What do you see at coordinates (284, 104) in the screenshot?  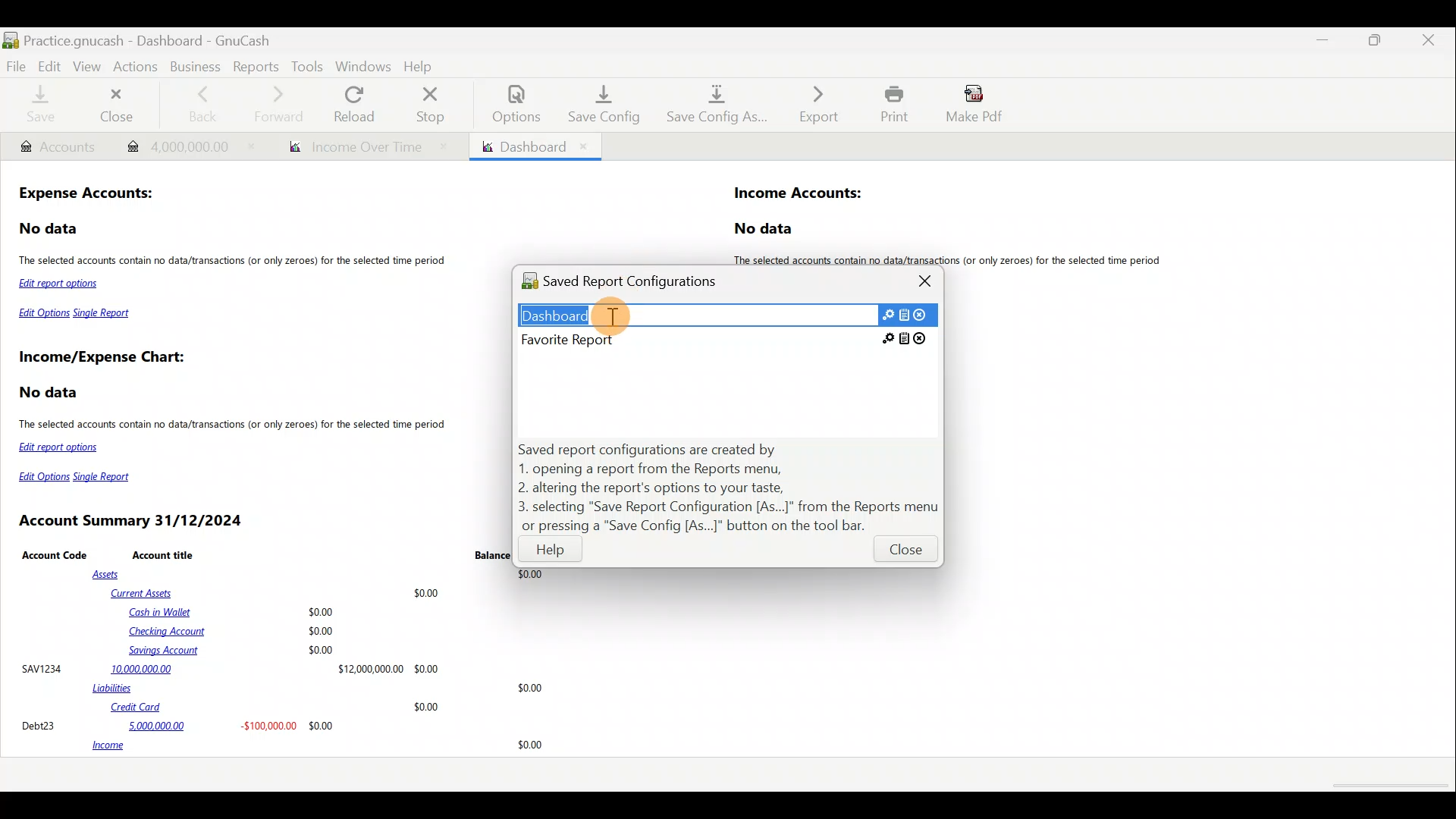 I see `Forward` at bounding box center [284, 104].